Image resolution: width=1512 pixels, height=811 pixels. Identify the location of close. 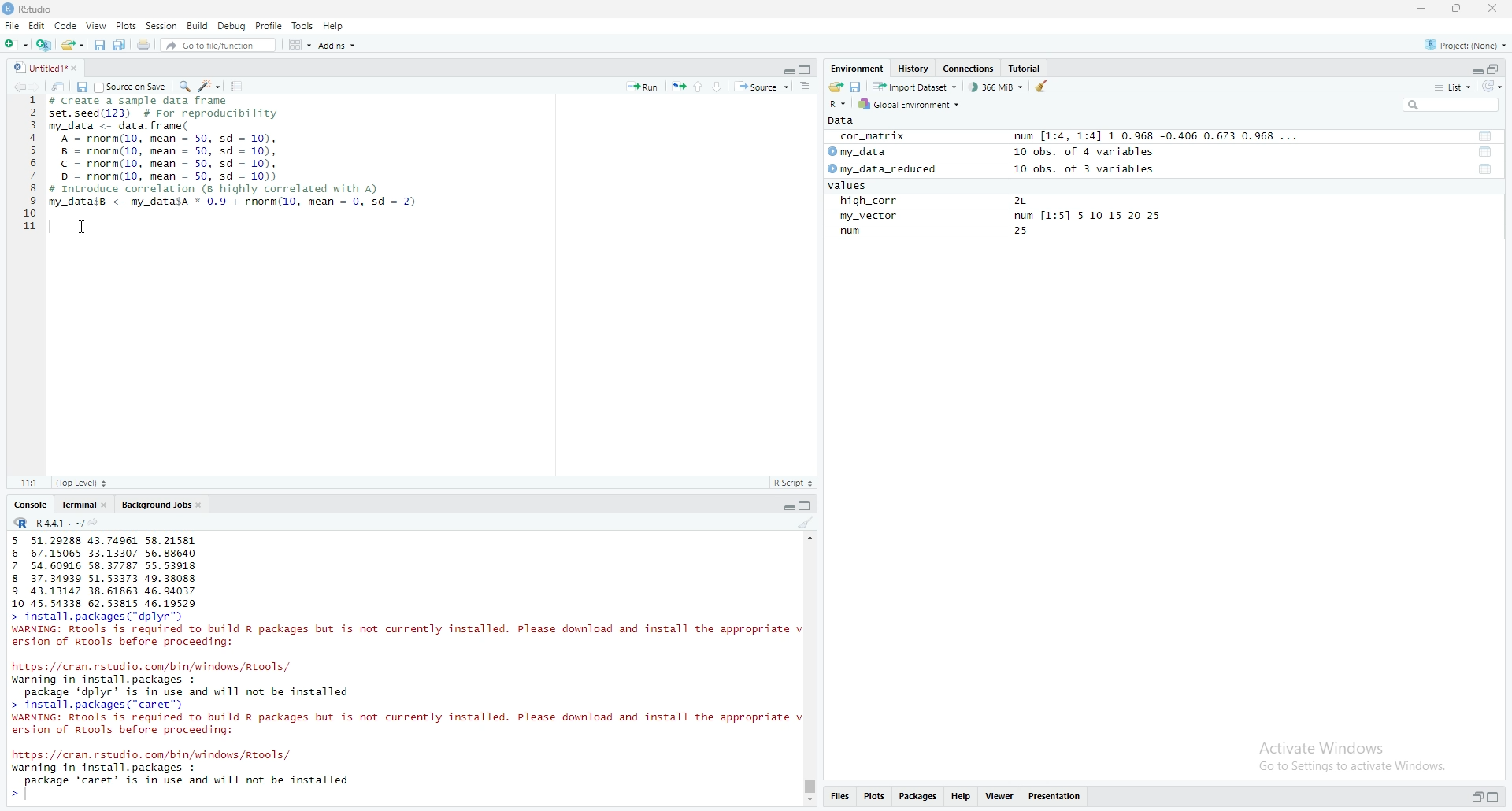
(1493, 8).